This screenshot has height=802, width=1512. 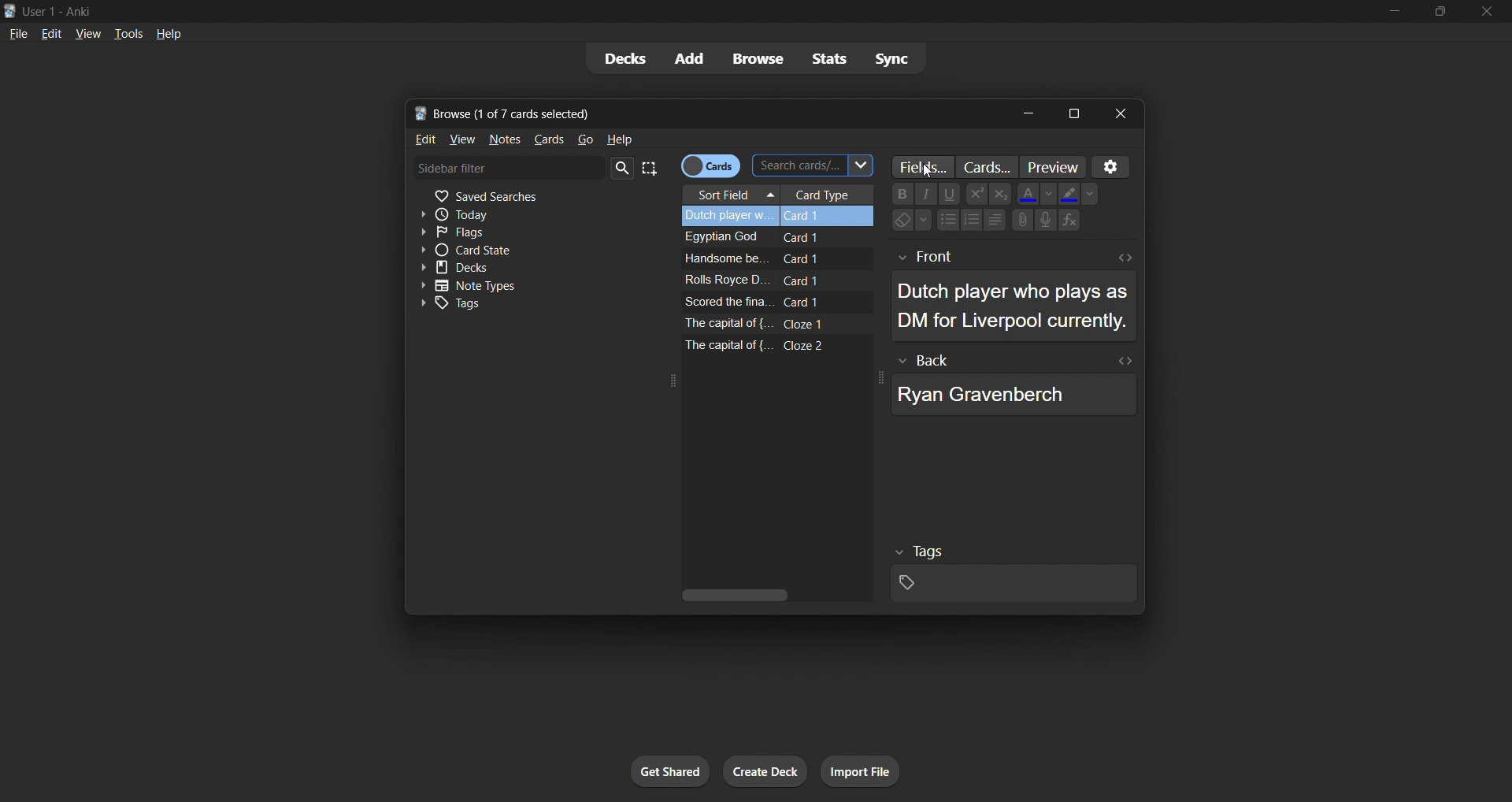 I want to click on tools, so click(x=128, y=35).